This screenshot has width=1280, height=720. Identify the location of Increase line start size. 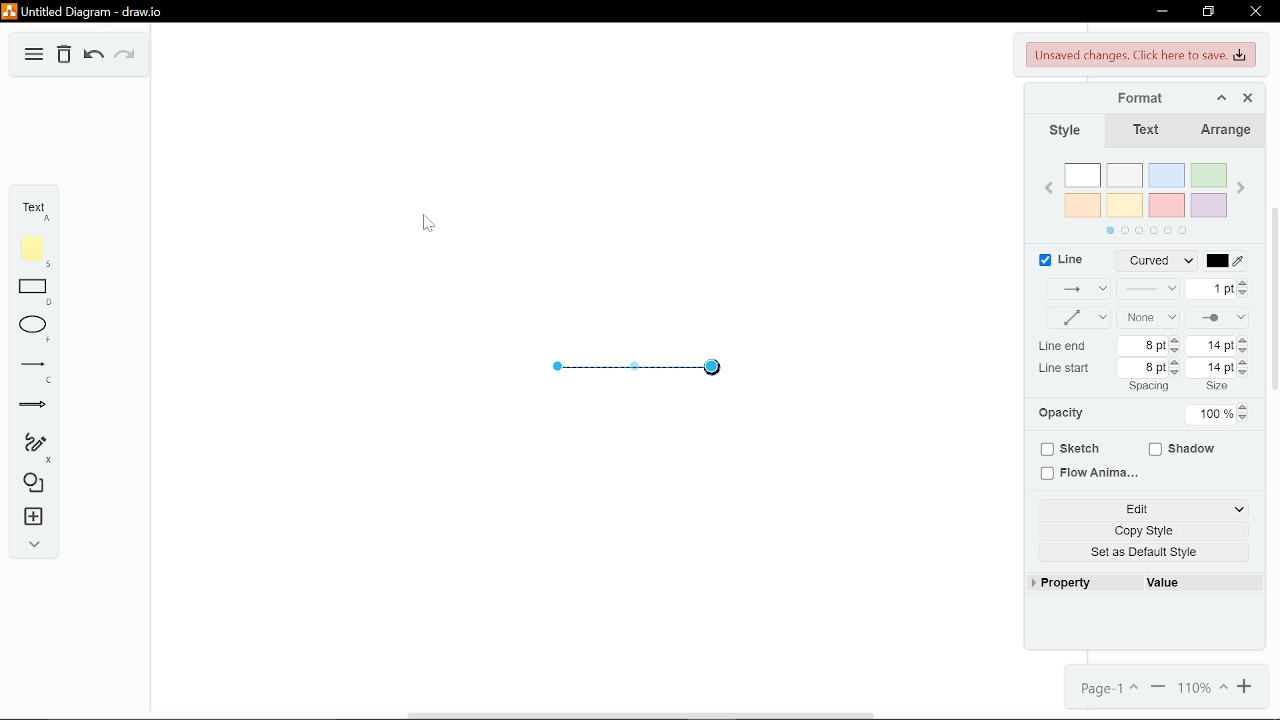
(1245, 361).